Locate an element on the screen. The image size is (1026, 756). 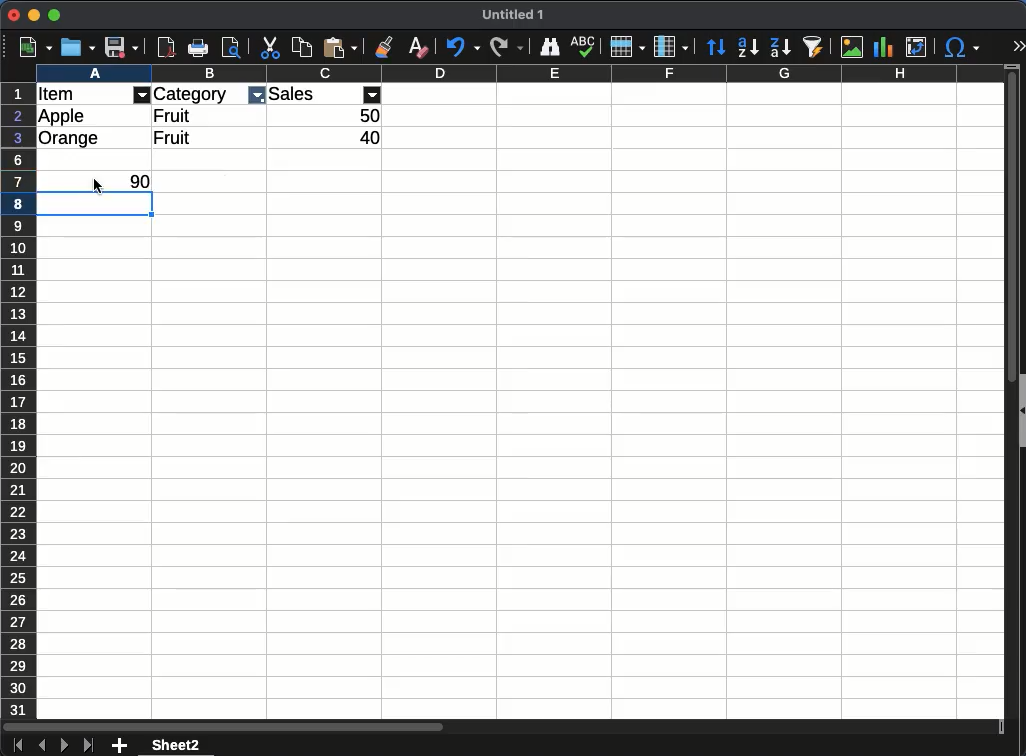
save is located at coordinates (123, 47).